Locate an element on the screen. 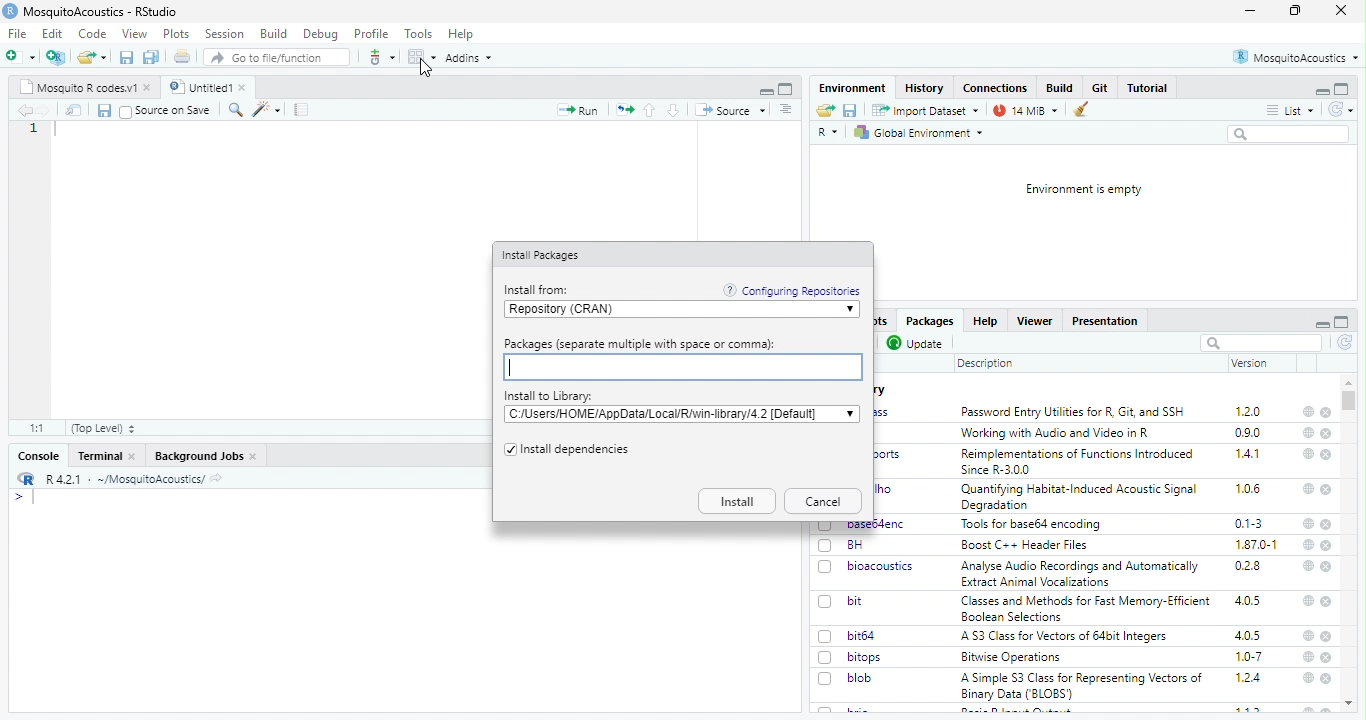 Image resolution: width=1366 pixels, height=720 pixels. History is located at coordinates (925, 89).